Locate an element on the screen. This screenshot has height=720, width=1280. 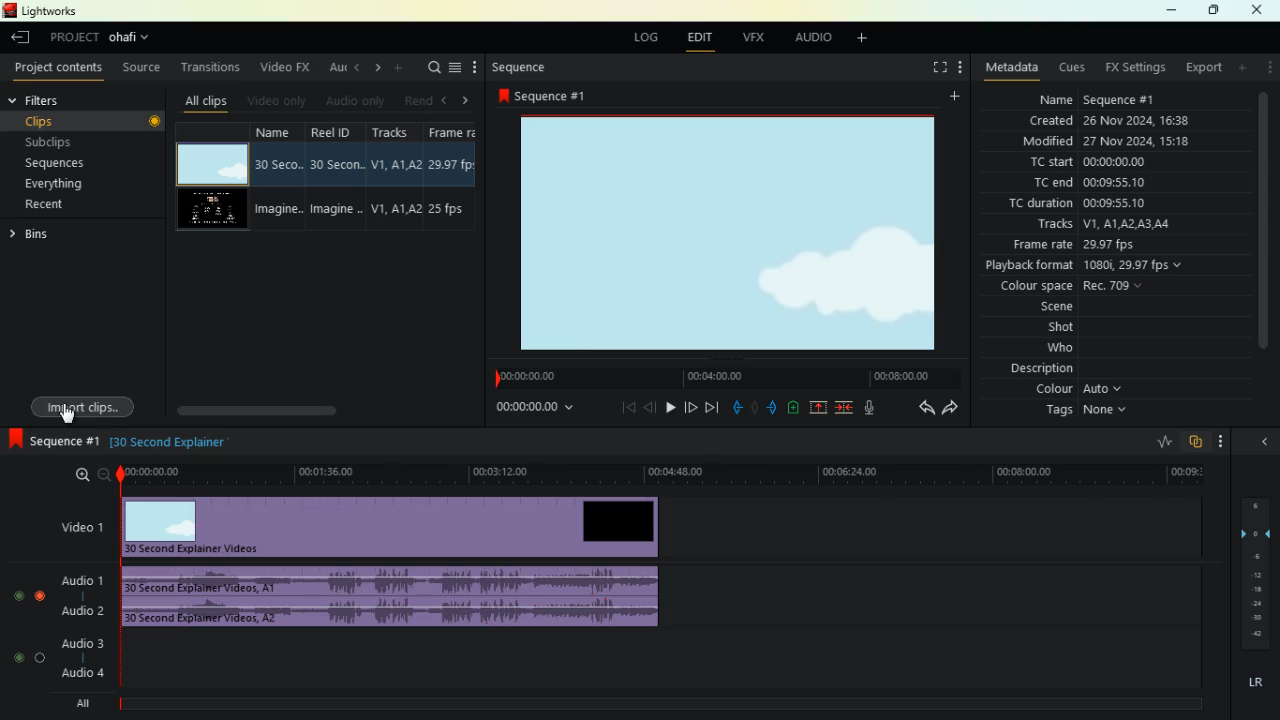
audio is located at coordinates (393, 614).